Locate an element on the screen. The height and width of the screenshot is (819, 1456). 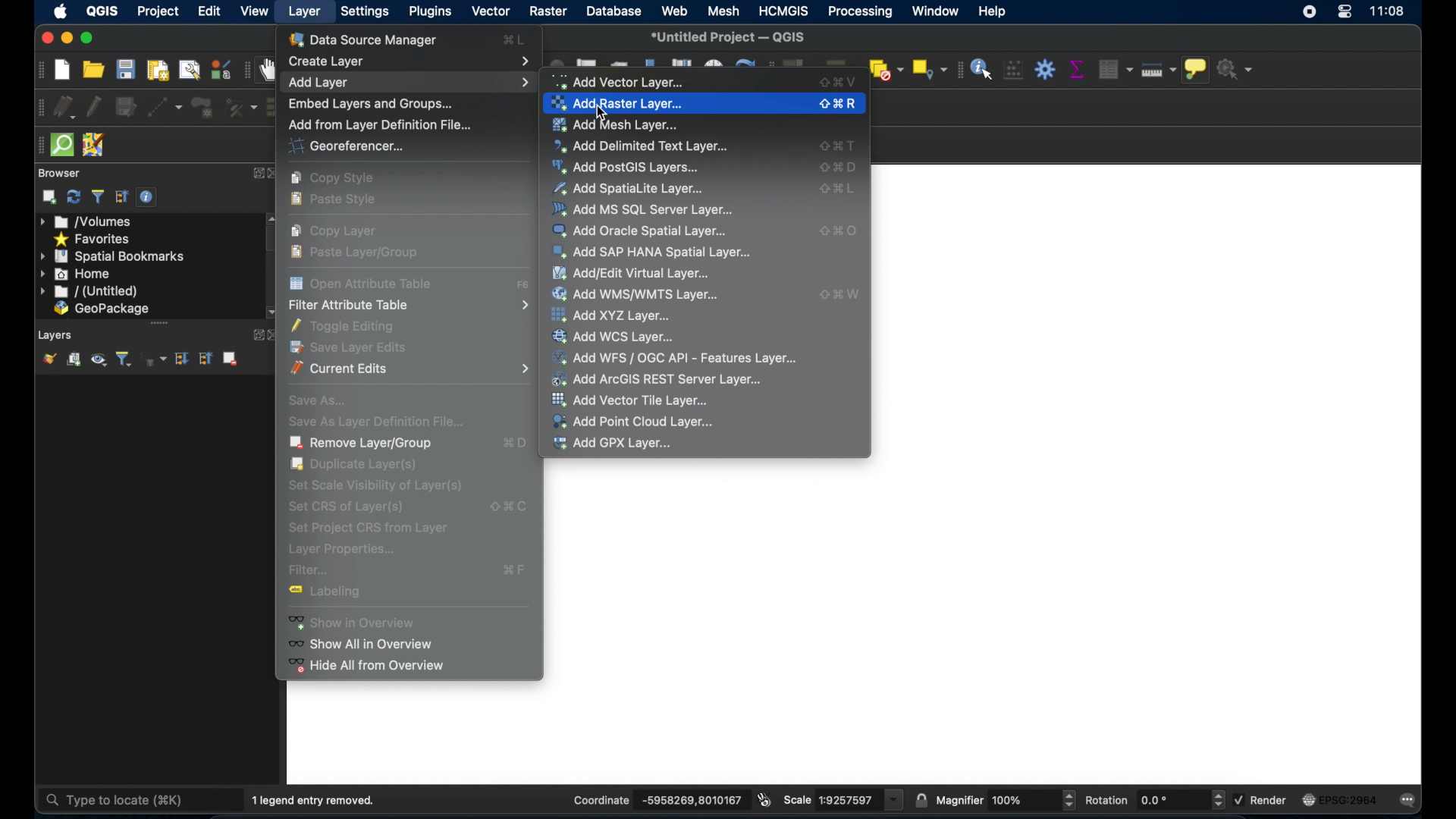
show layout manager is located at coordinates (187, 71).